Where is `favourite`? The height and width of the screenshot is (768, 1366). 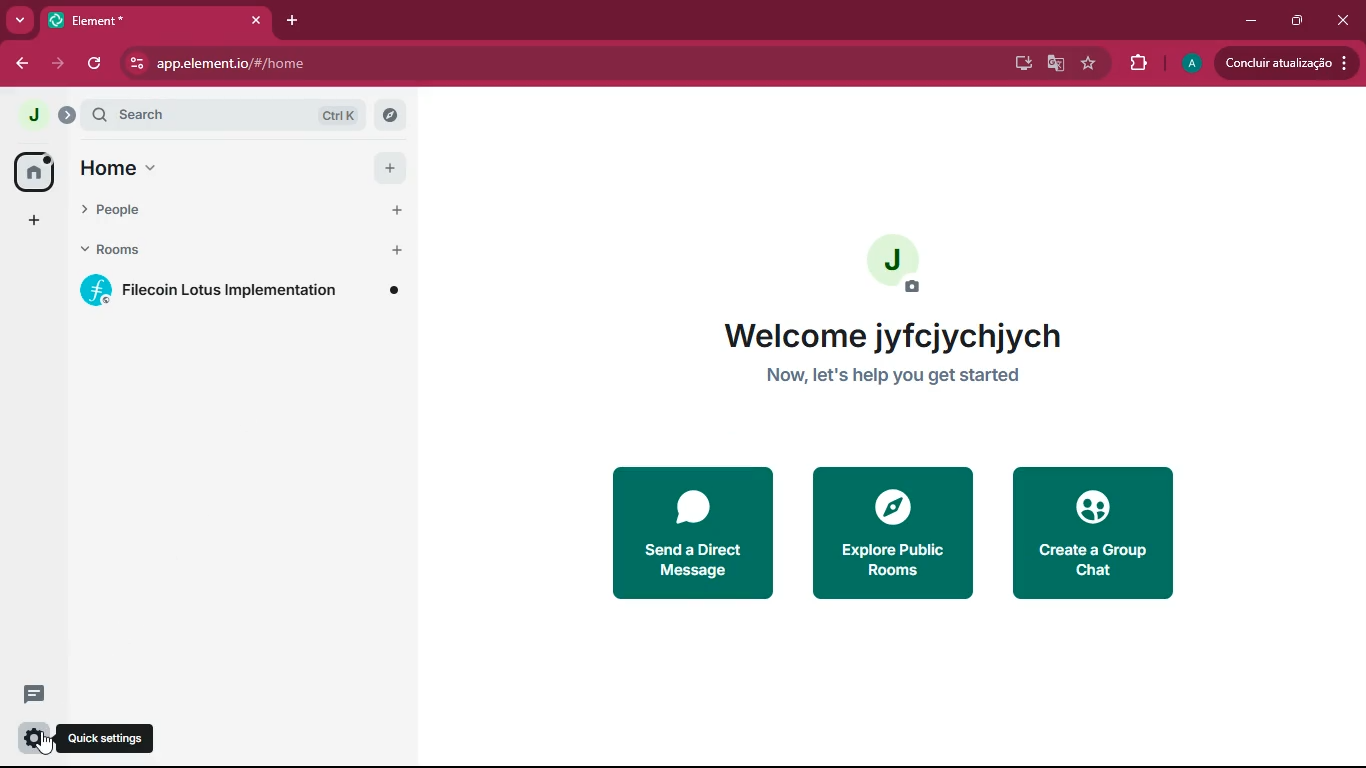 favourite is located at coordinates (1089, 64).